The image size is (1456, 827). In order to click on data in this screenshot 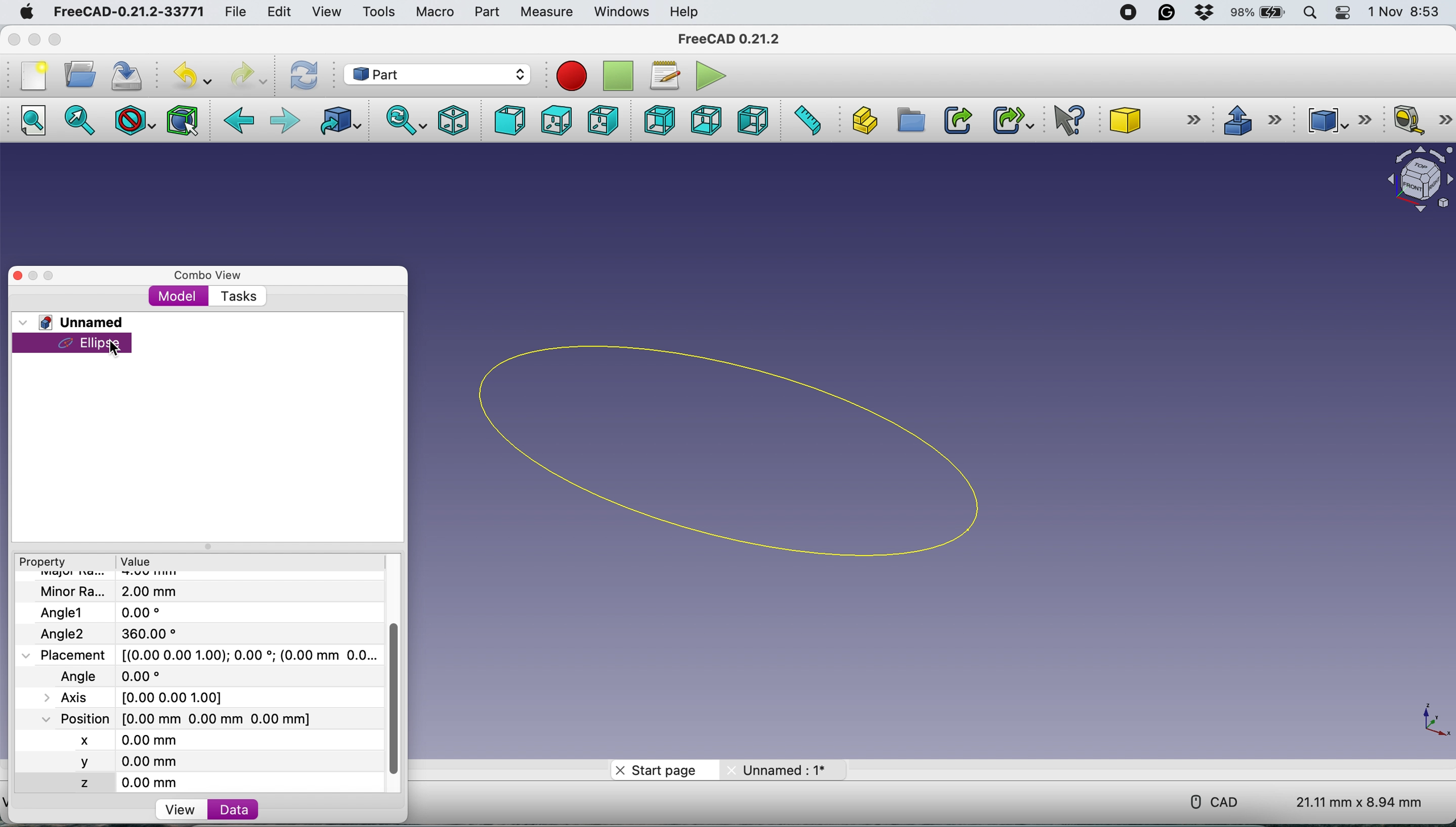, I will do `click(234, 809)`.